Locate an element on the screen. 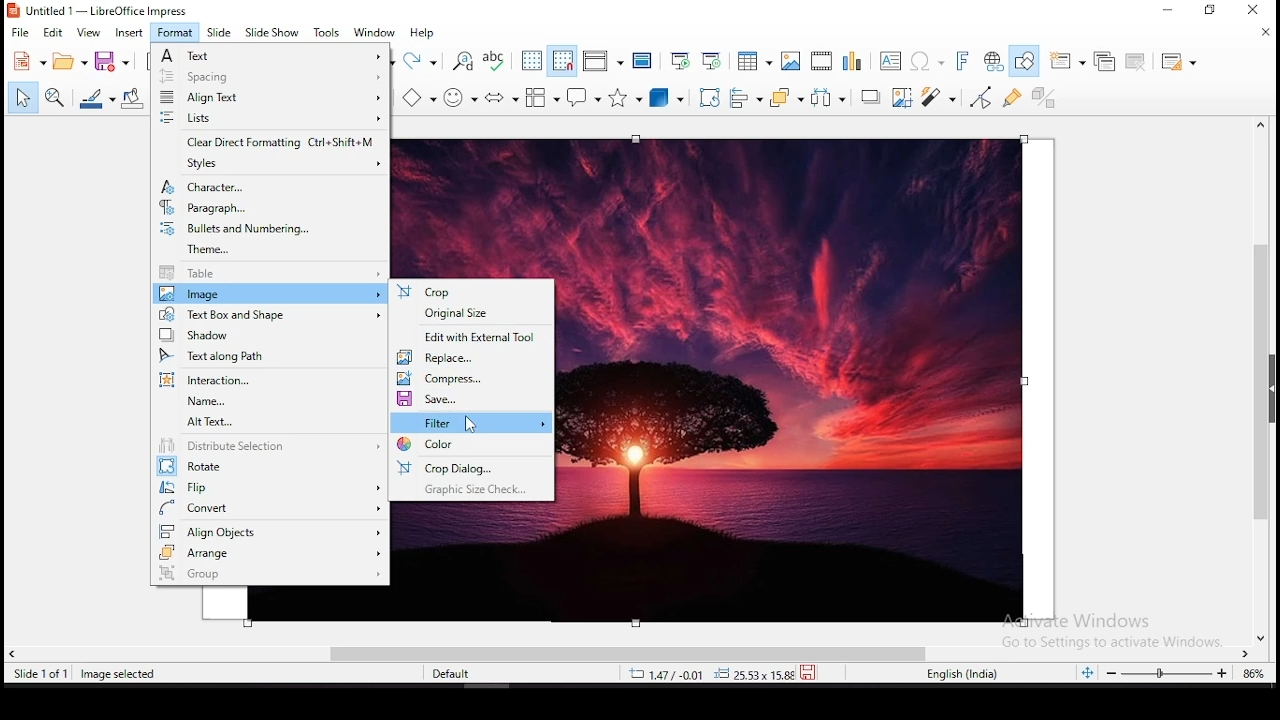 The height and width of the screenshot is (720, 1280). character is located at coordinates (268, 186).